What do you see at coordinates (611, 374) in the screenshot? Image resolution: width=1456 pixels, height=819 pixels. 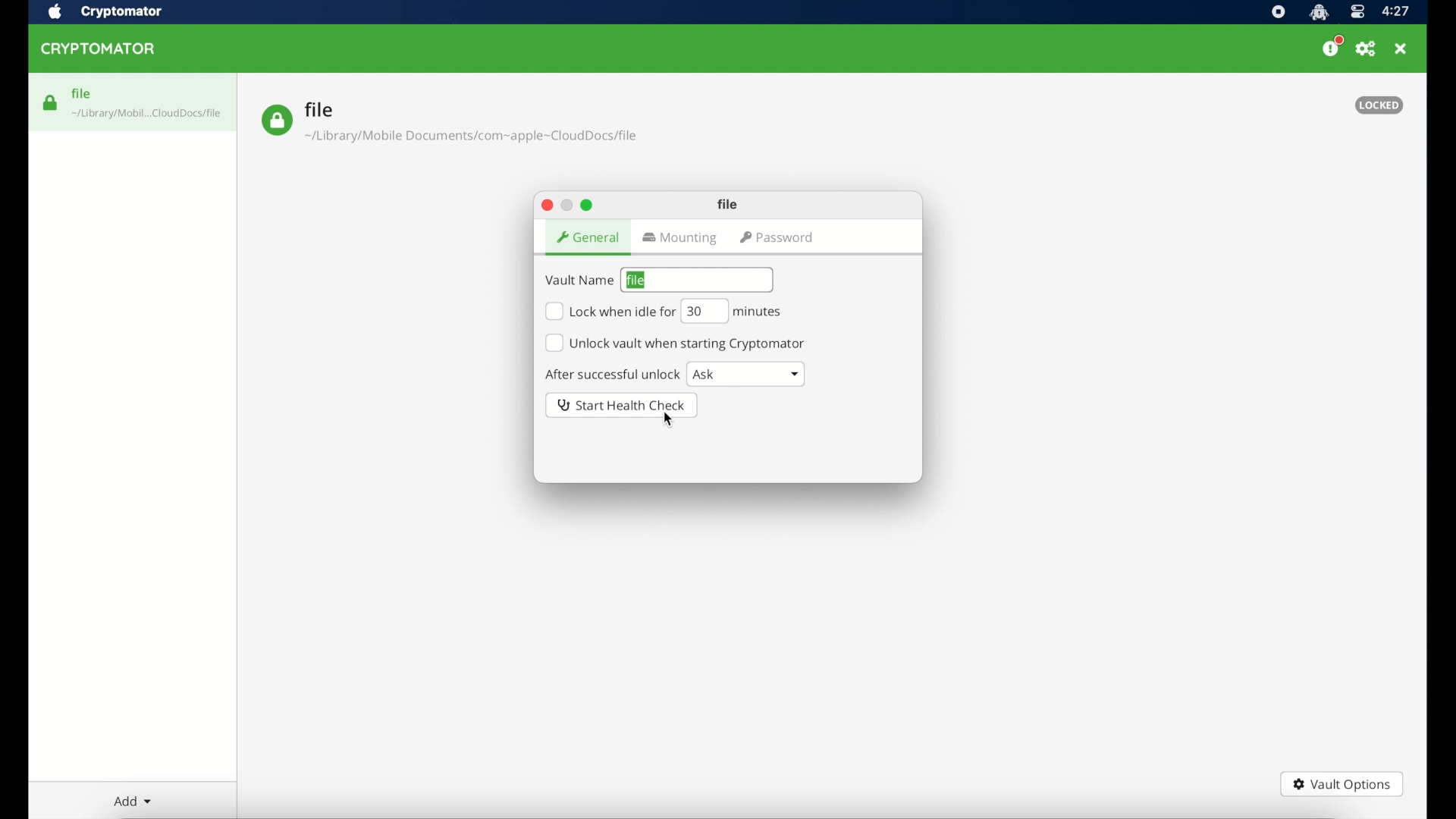 I see `after successful unlock` at bounding box center [611, 374].